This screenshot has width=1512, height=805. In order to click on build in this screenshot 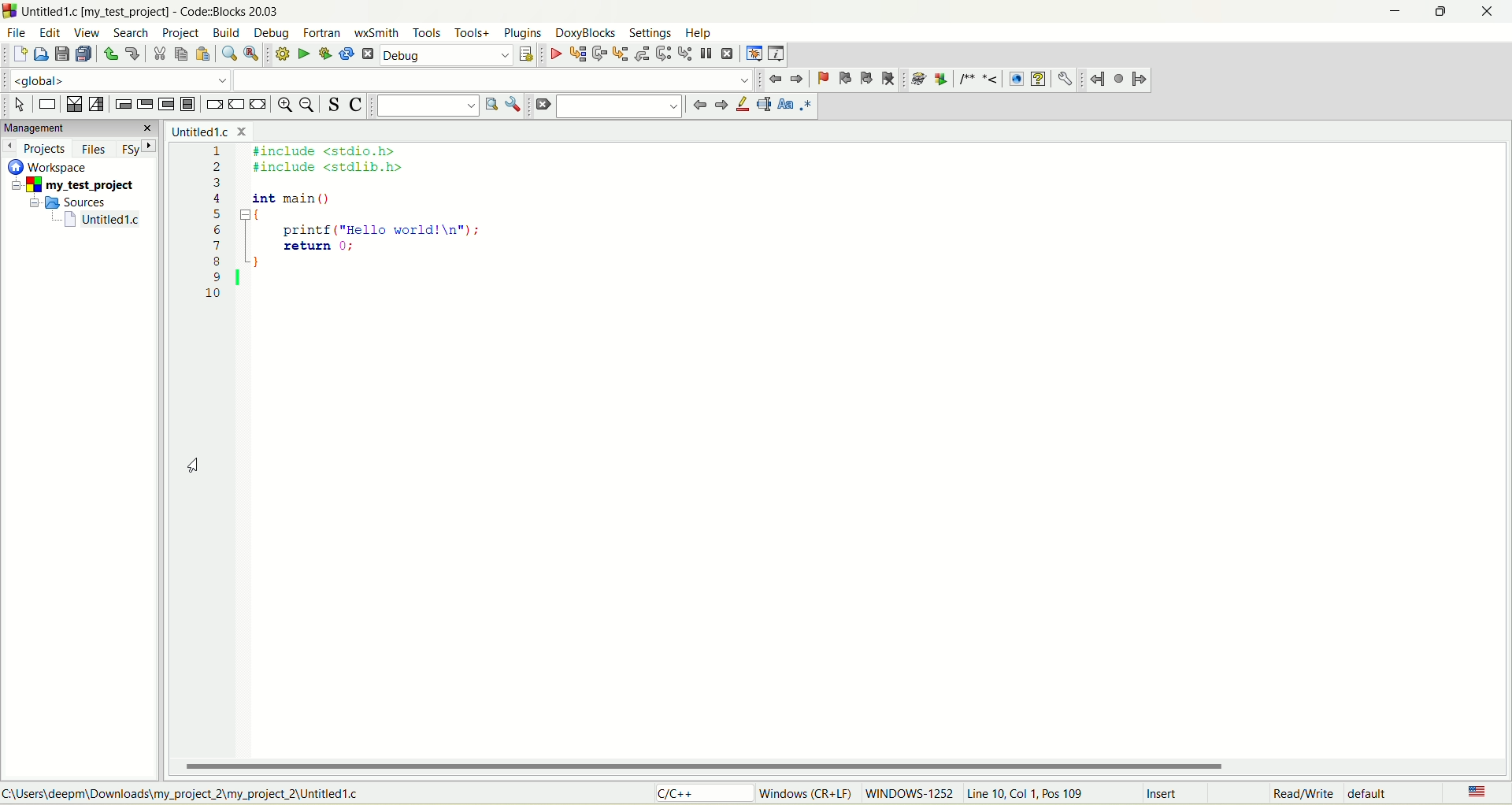, I will do `click(228, 32)`.